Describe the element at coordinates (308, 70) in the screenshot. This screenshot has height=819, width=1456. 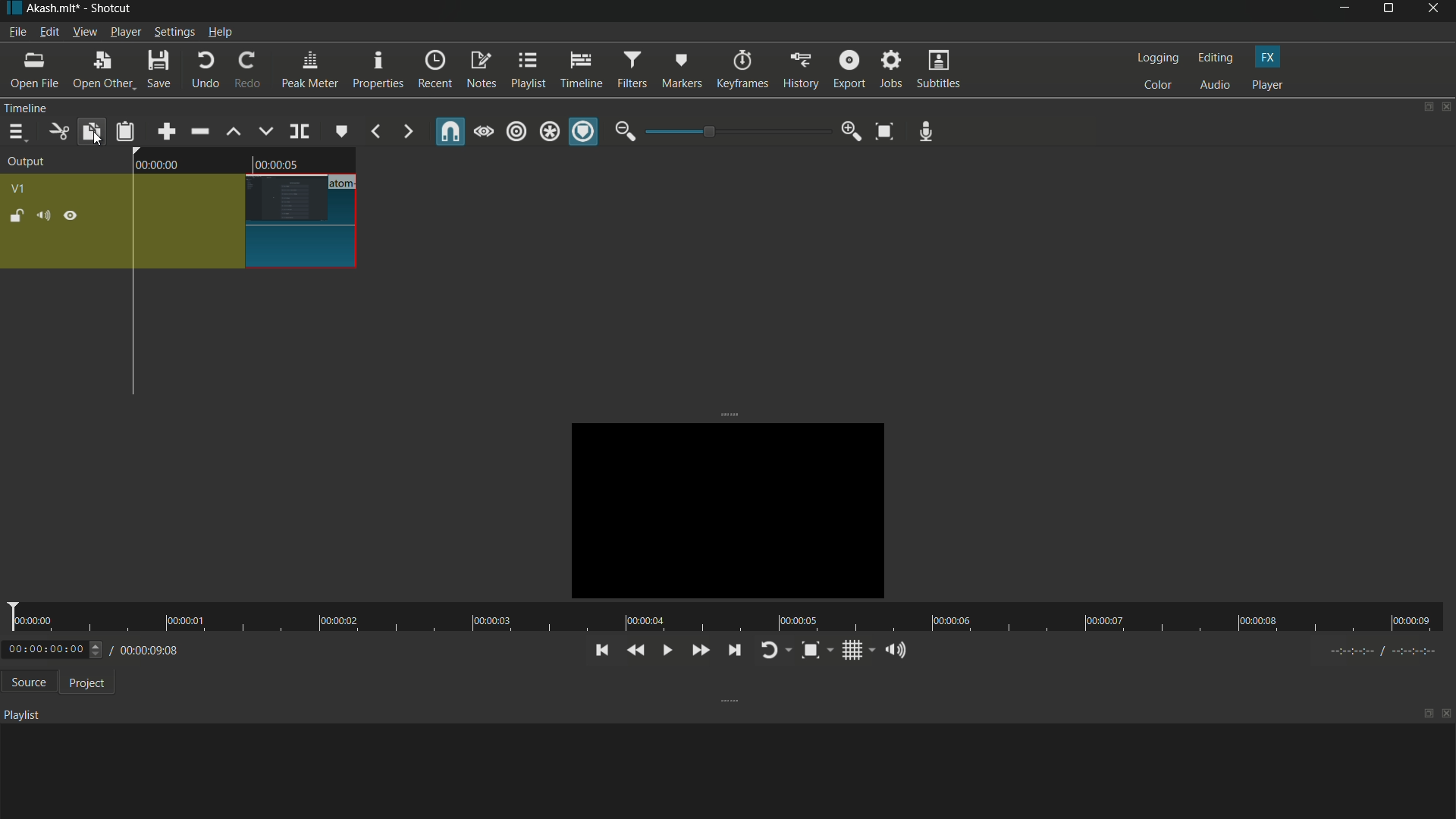
I see `peak meter` at that location.